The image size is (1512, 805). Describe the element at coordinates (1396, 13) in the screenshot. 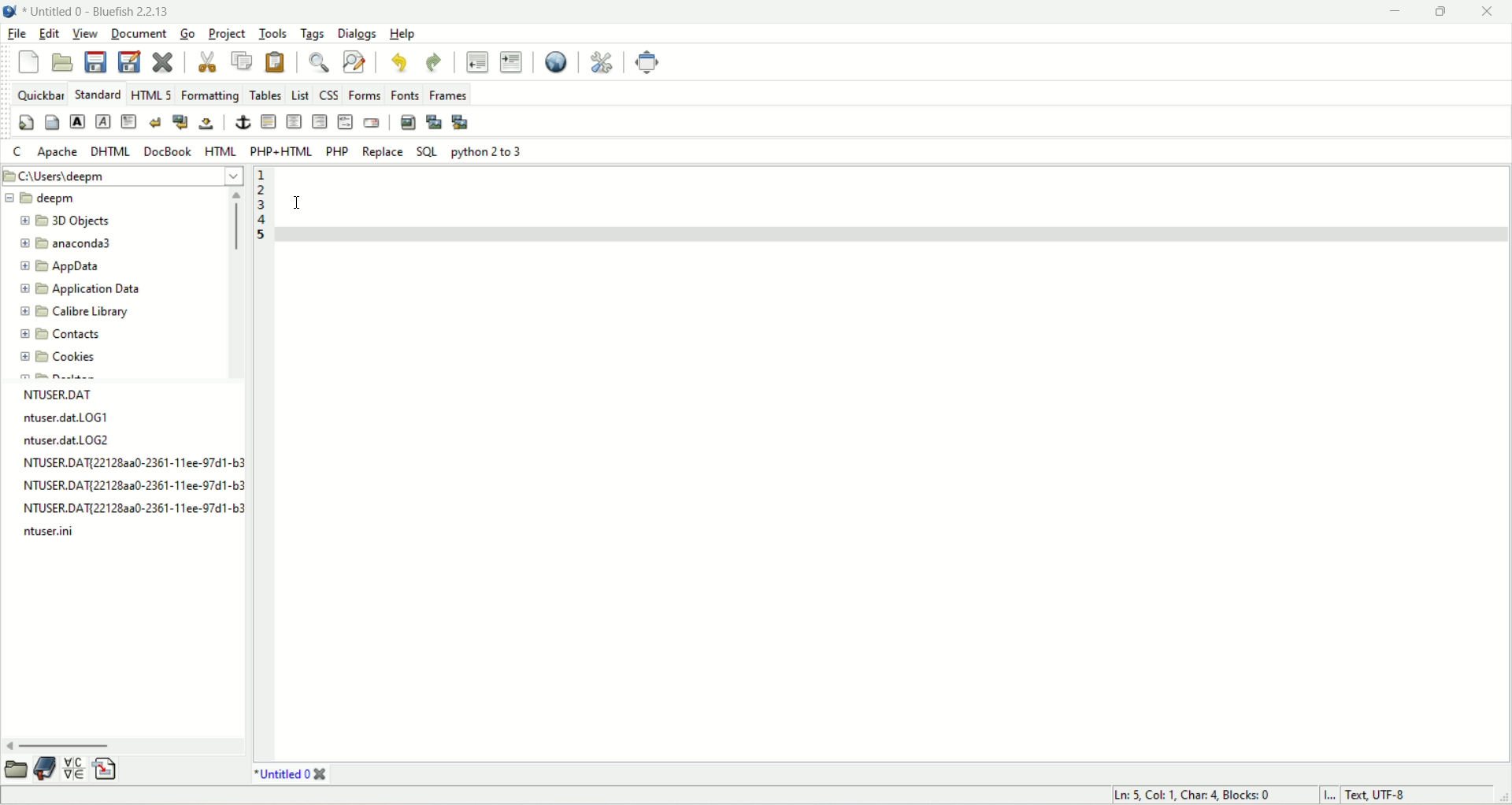

I see `minimize` at that location.